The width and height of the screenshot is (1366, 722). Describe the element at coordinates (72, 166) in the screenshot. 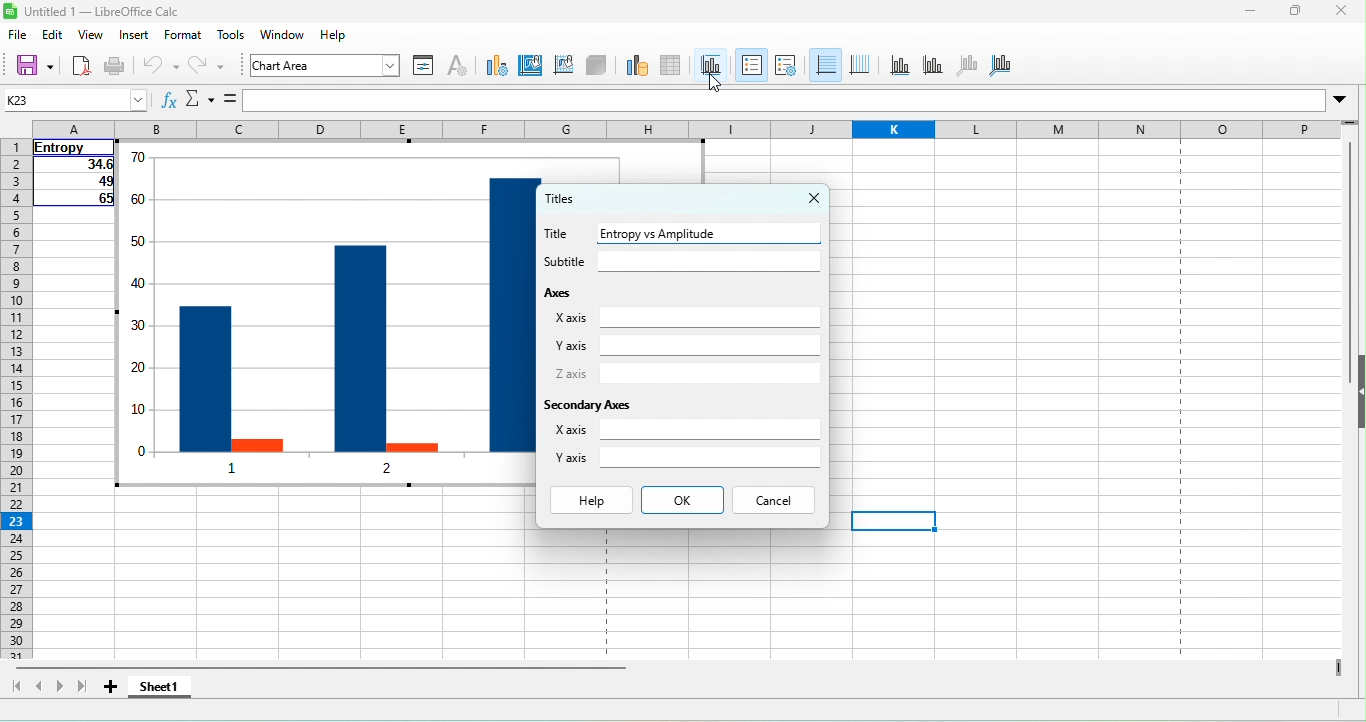

I see `34.6` at that location.